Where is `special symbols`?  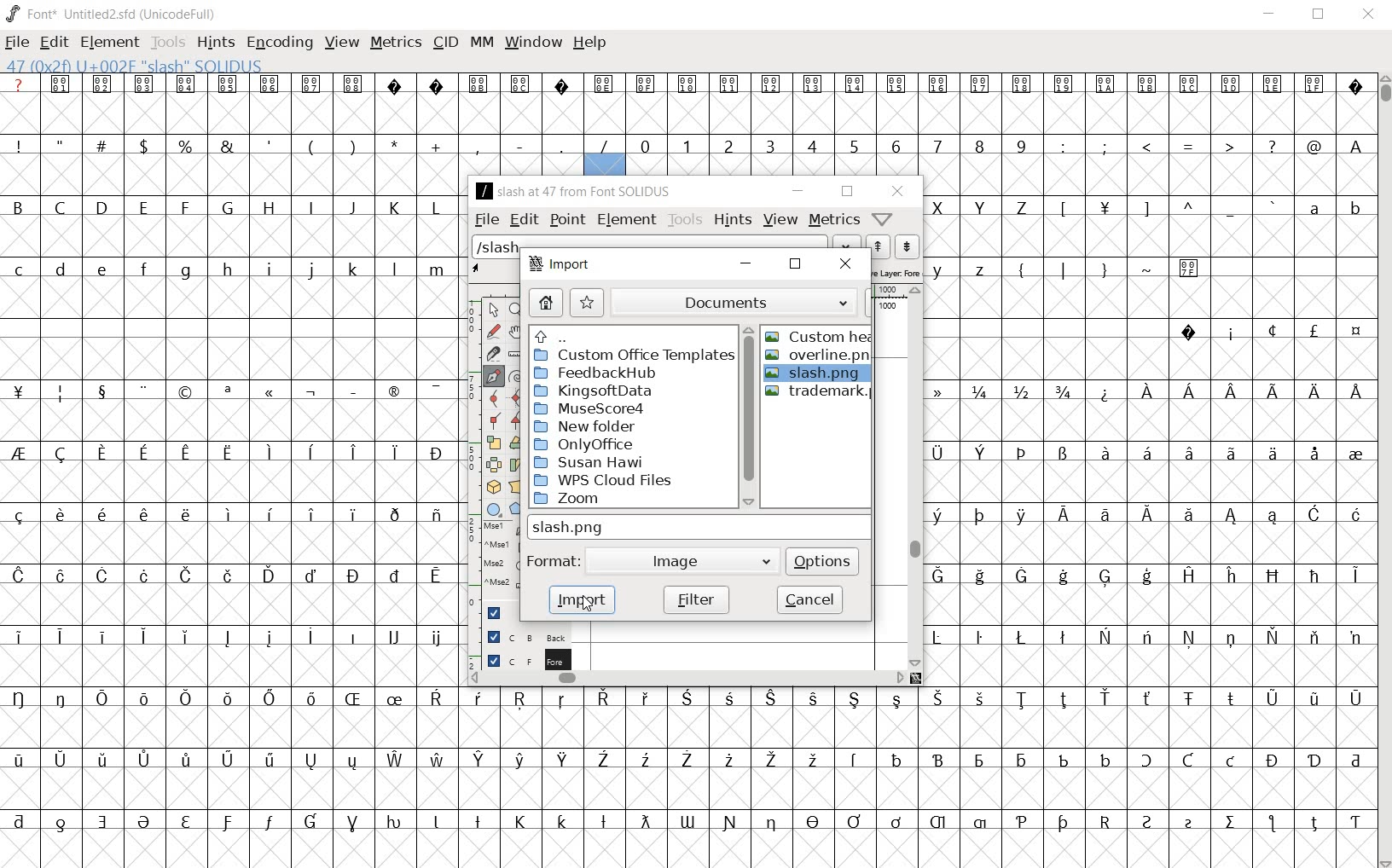 special symbols is located at coordinates (685, 84).